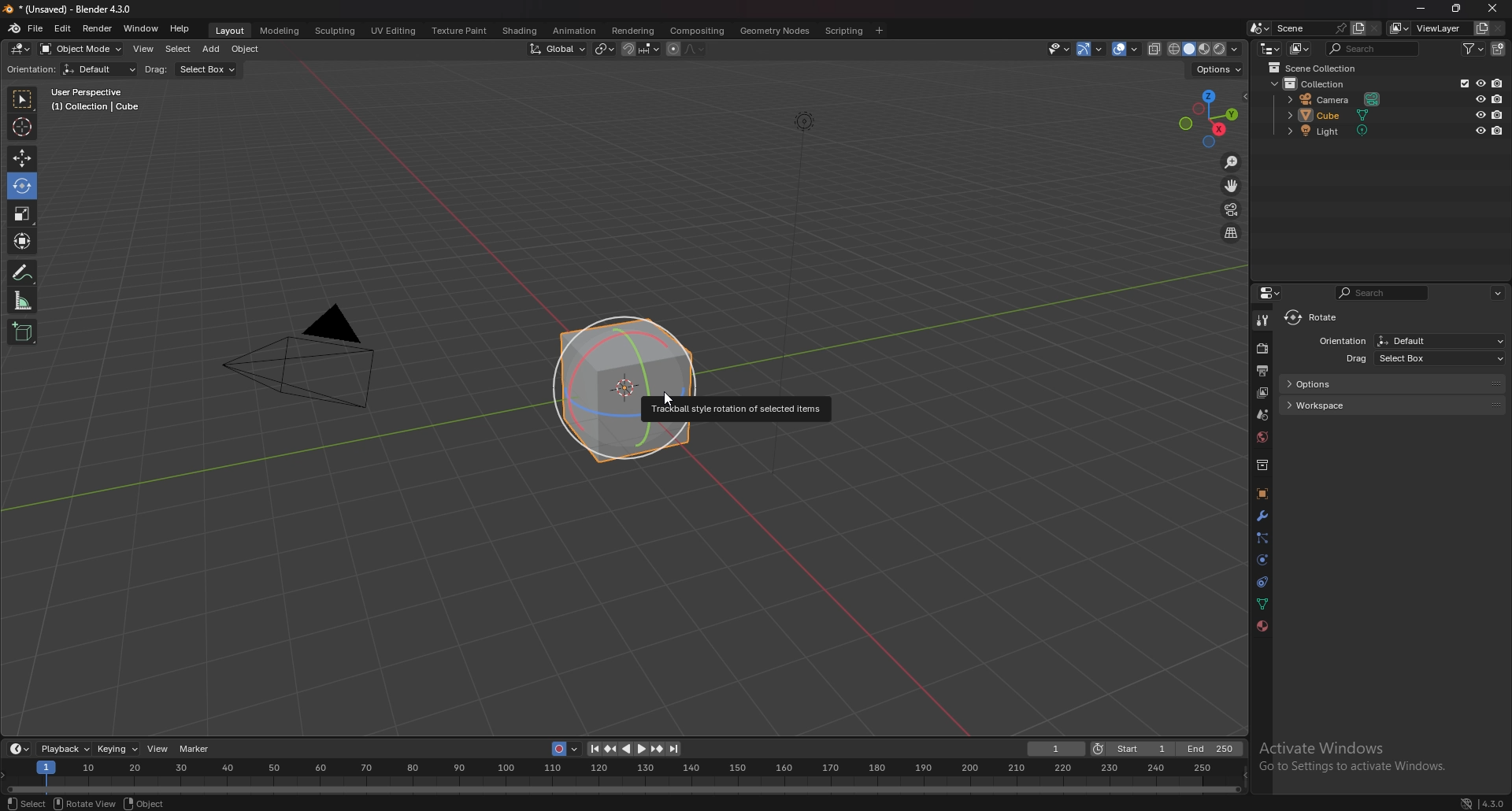  I want to click on delete scene, so click(1374, 28).